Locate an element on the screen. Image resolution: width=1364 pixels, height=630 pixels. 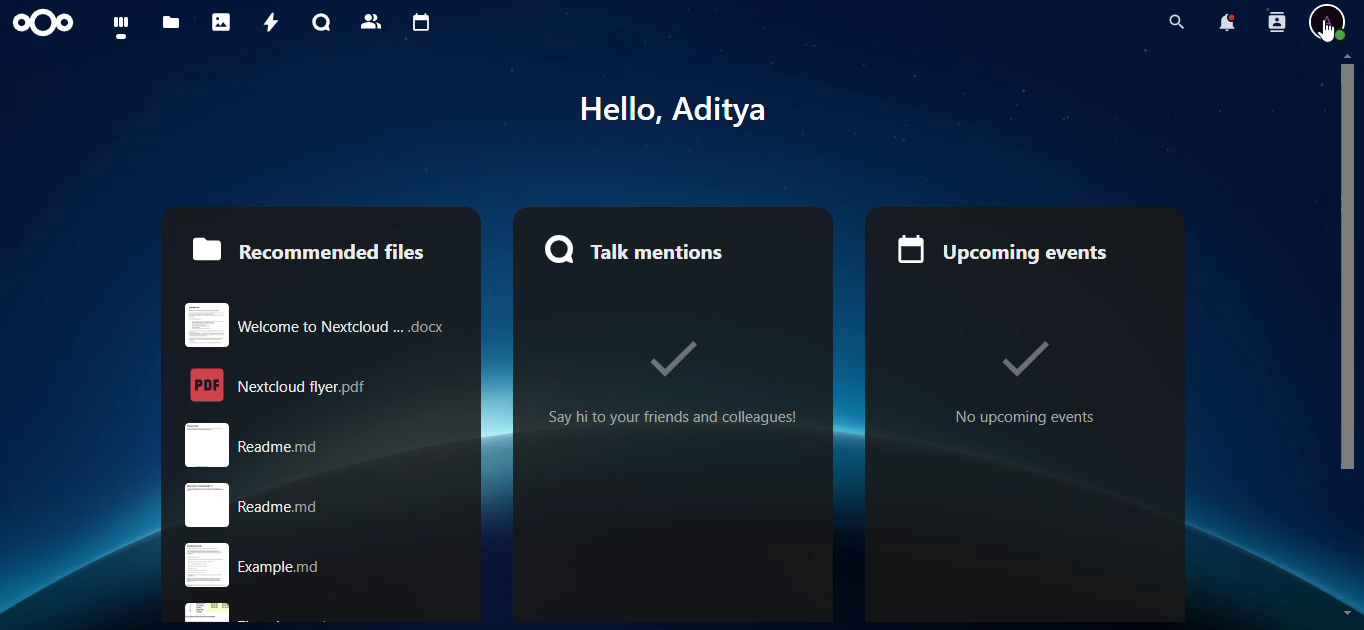
files is located at coordinates (172, 23).